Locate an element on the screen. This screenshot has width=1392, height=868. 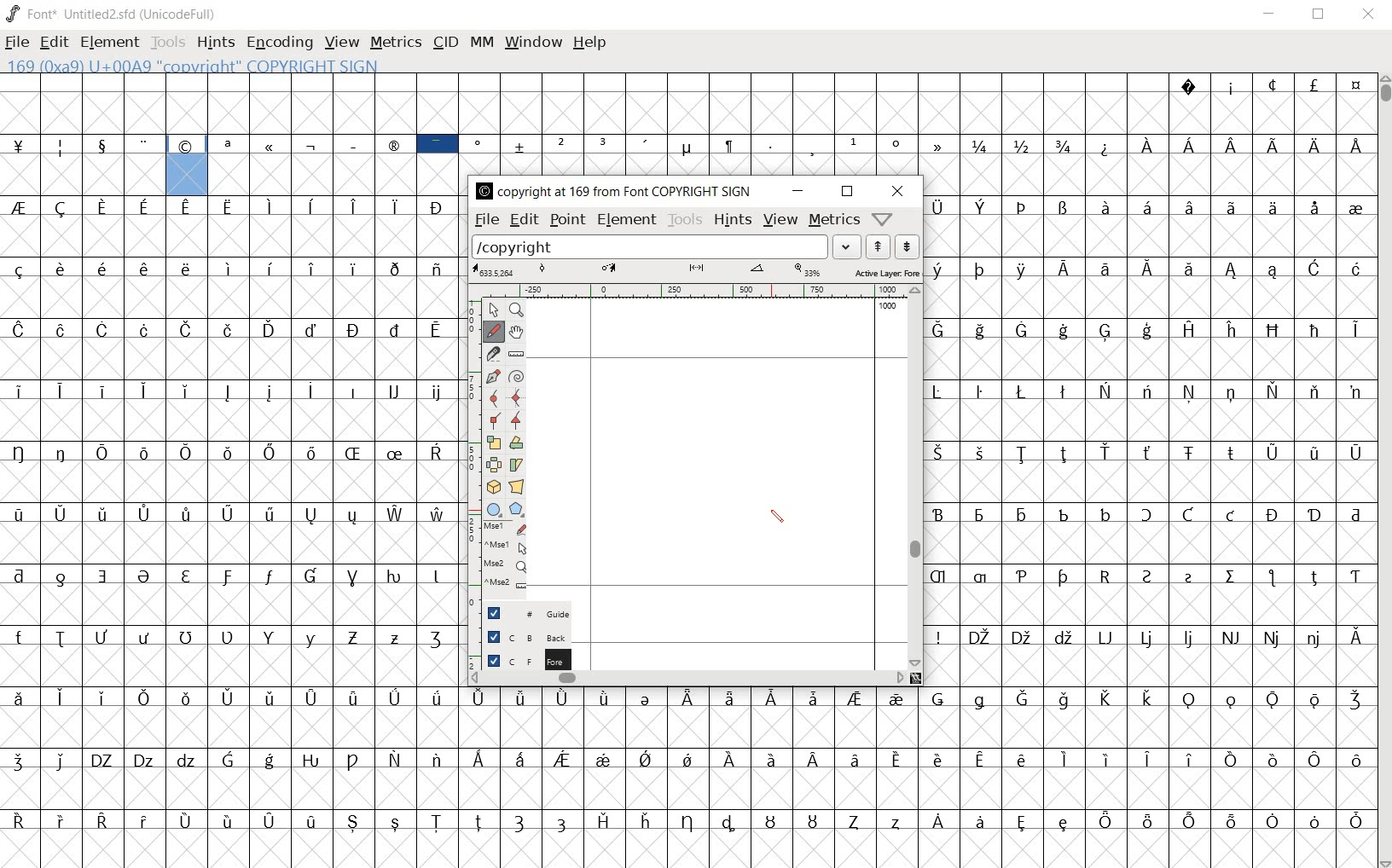
restore is located at coordinates (1320, 14).